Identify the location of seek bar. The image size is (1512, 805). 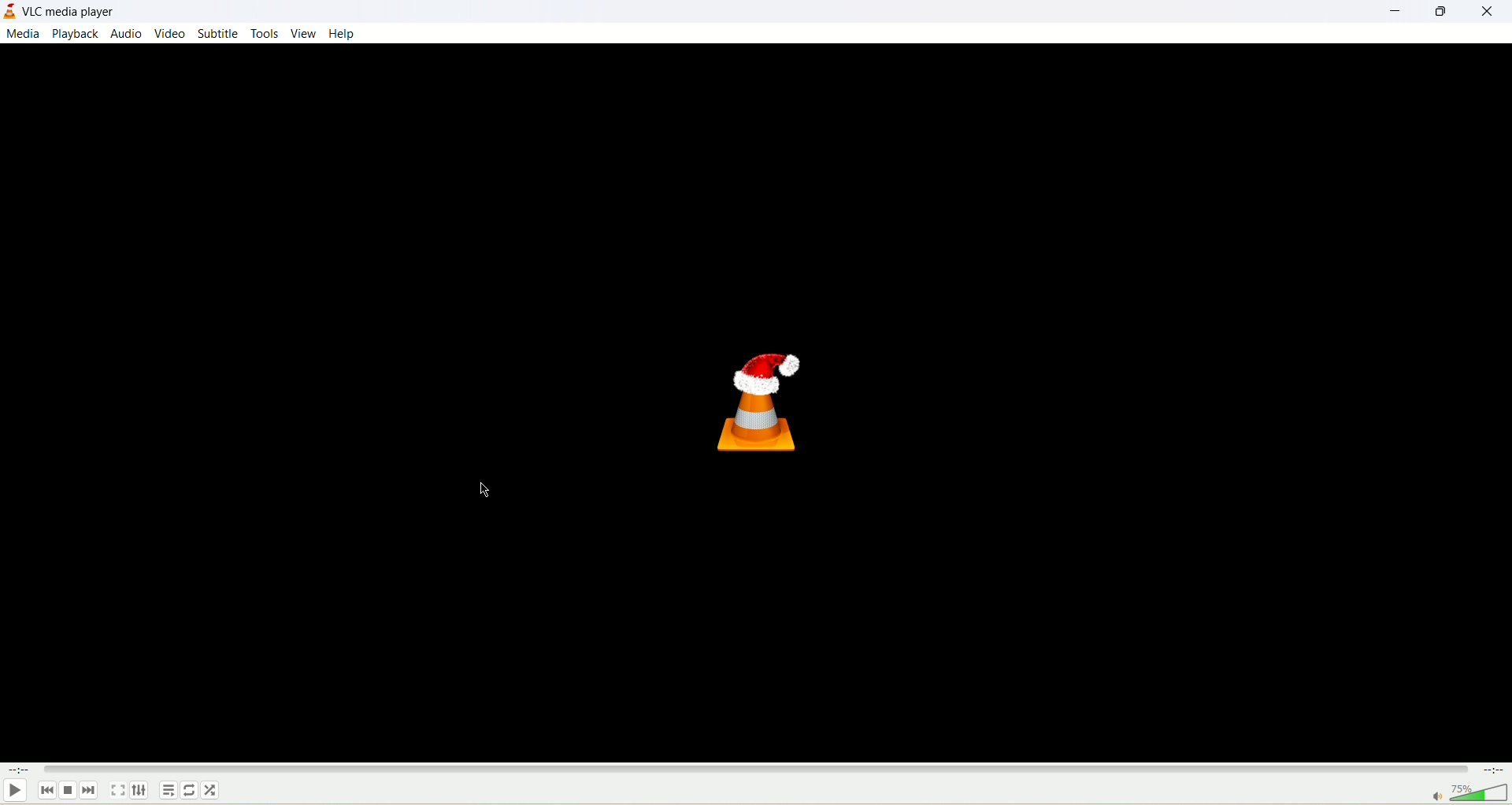
(757, 769).